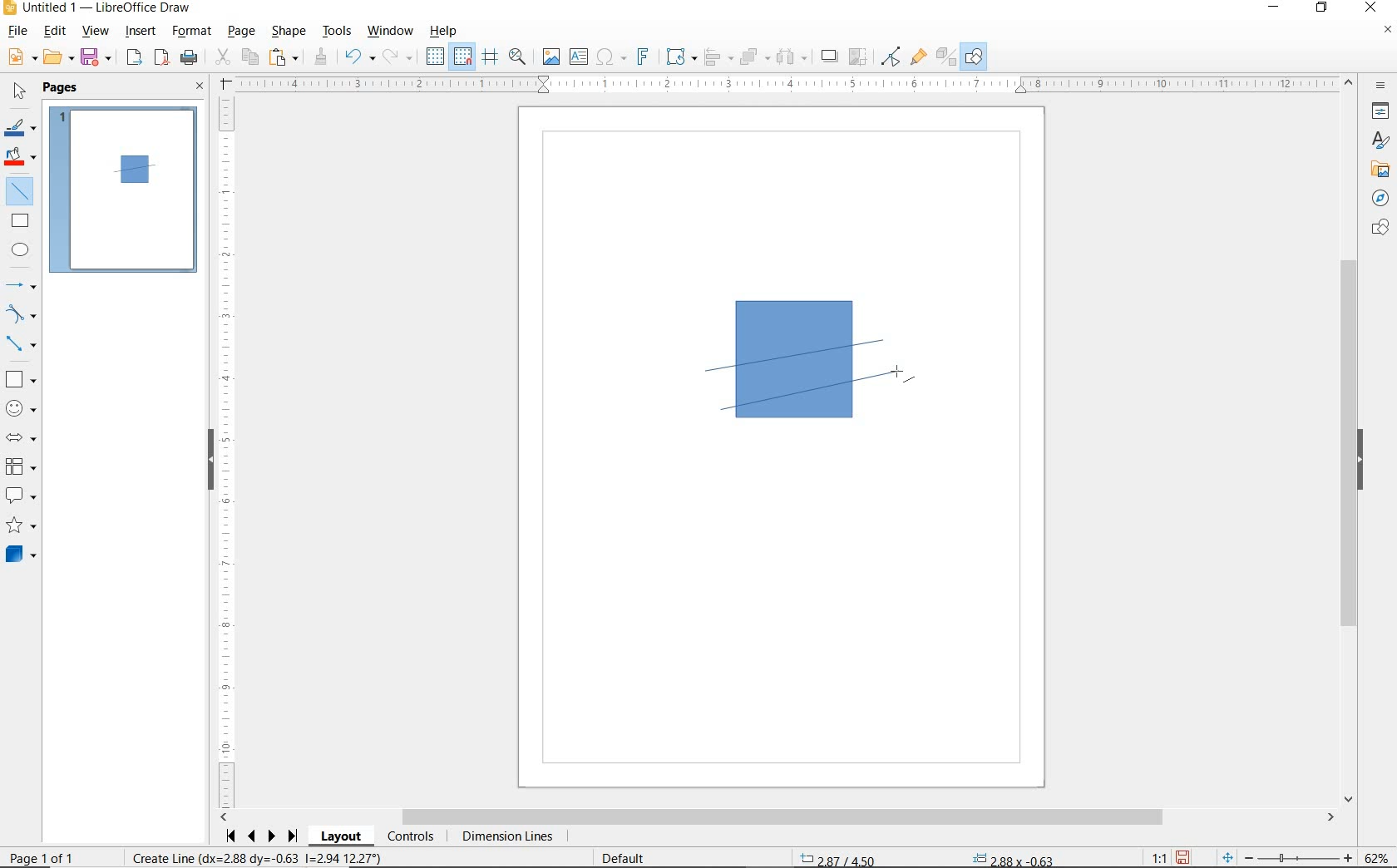  I want to click on PRINT, so click(190, 60).